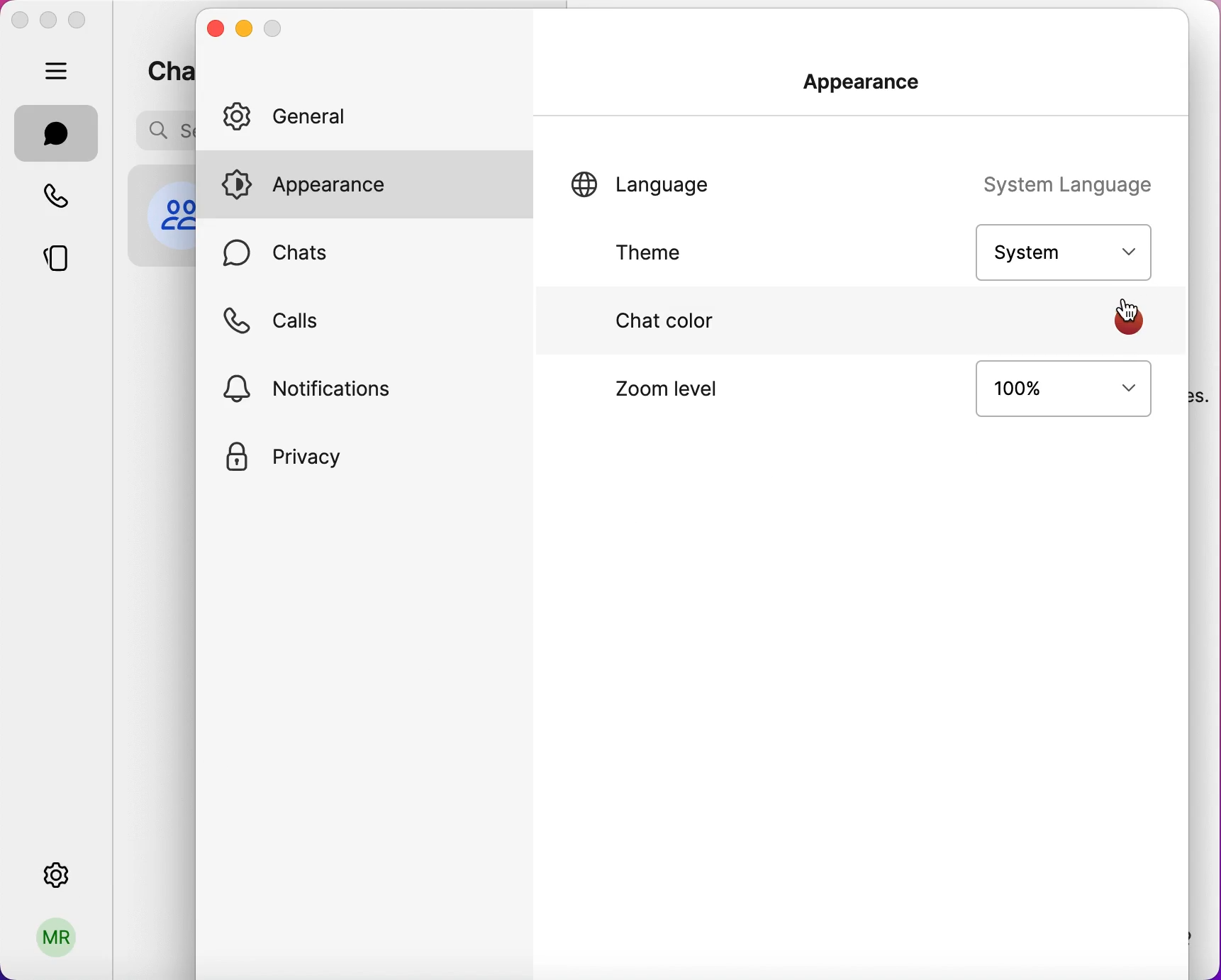  Describe the element at coordinates (678, 255) in the screenshot. I see `theme` at that location.